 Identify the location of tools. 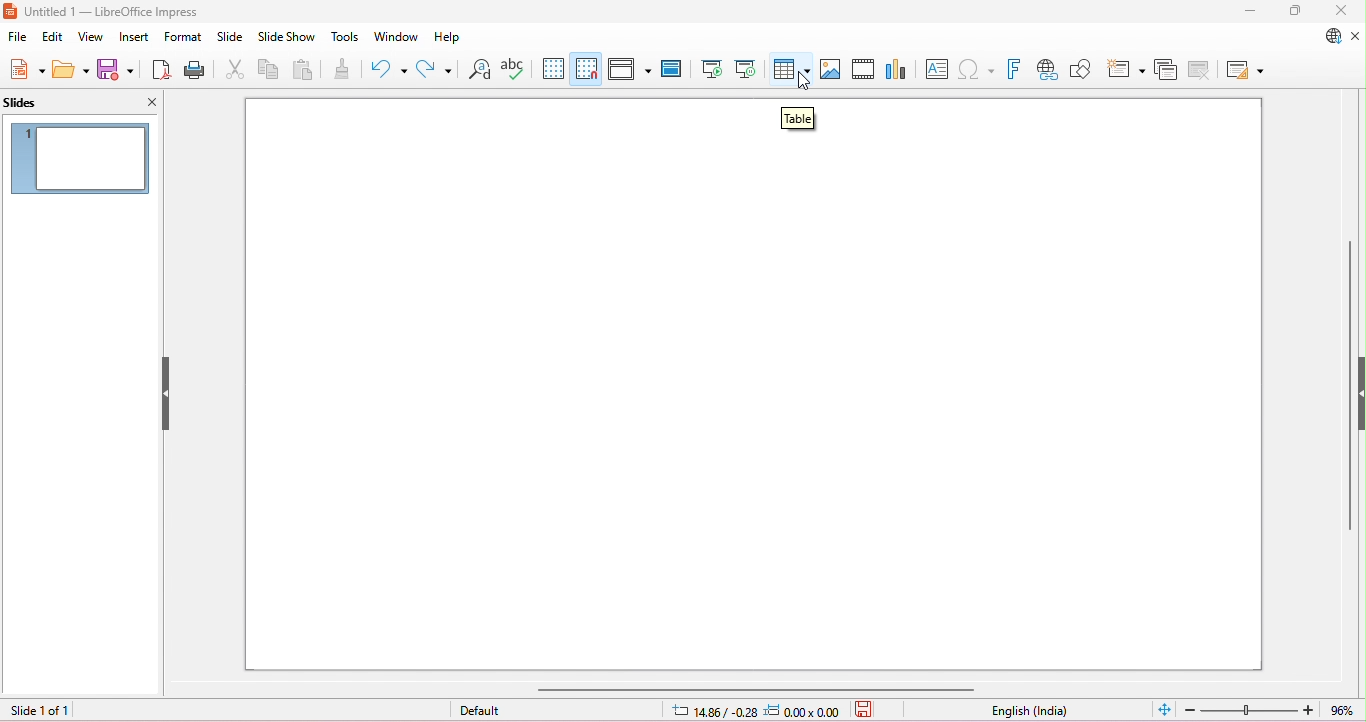
(345, 38).